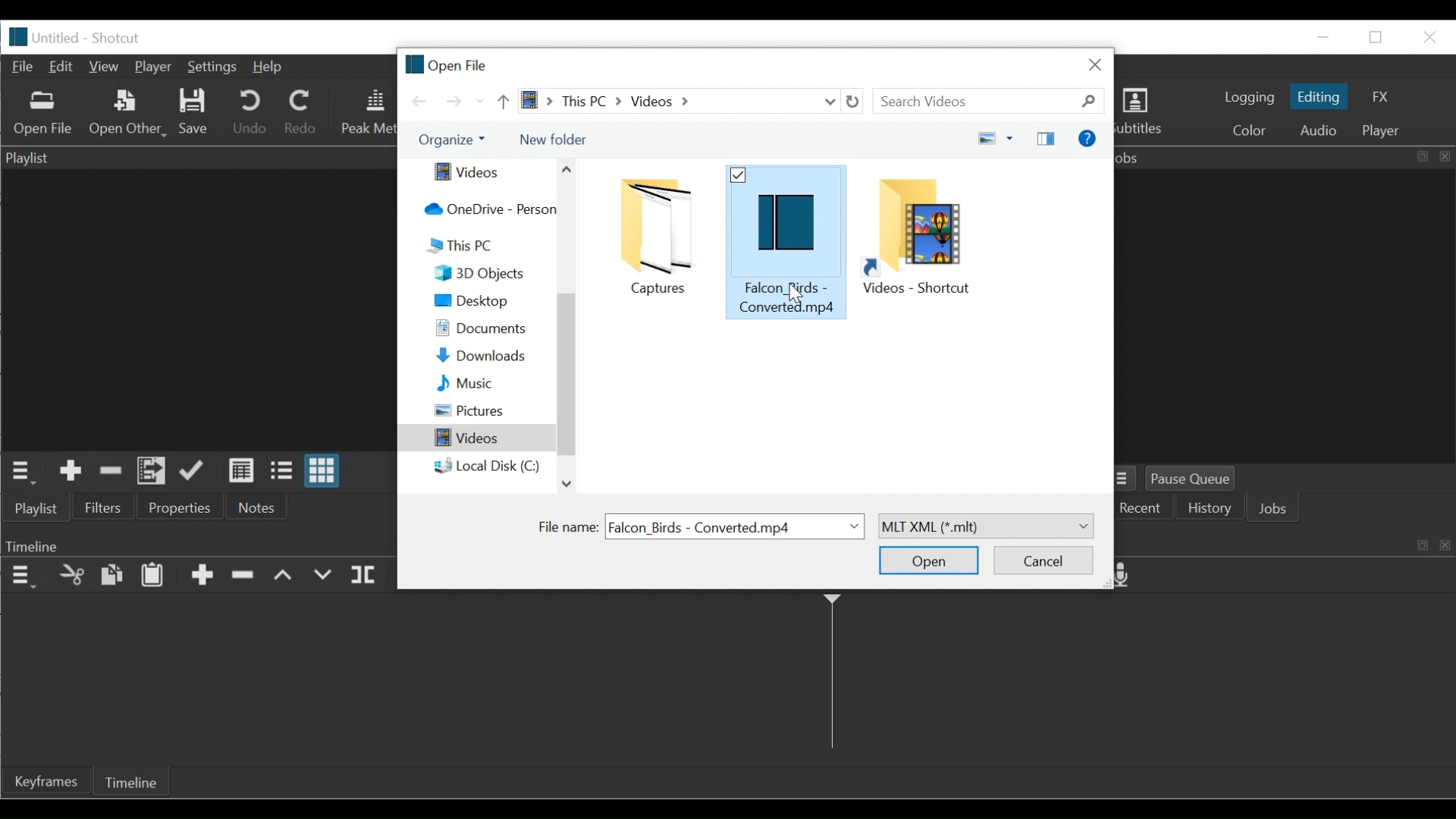  What do you see at coordinates (491, 356) in the screenshot?
I see `Downloads` at bounding box center [491, 356].